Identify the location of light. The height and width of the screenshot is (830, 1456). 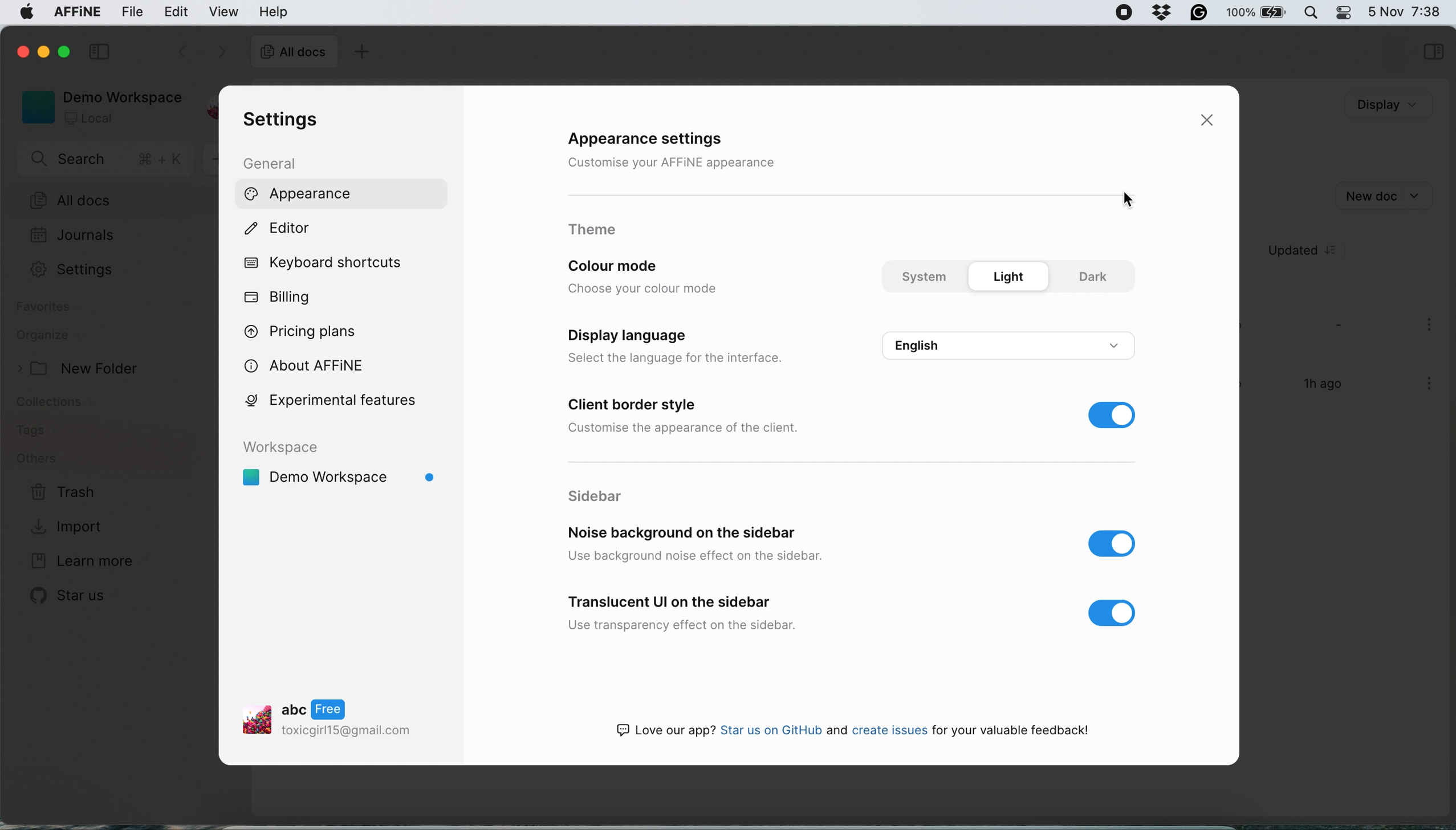
(1010, 277).